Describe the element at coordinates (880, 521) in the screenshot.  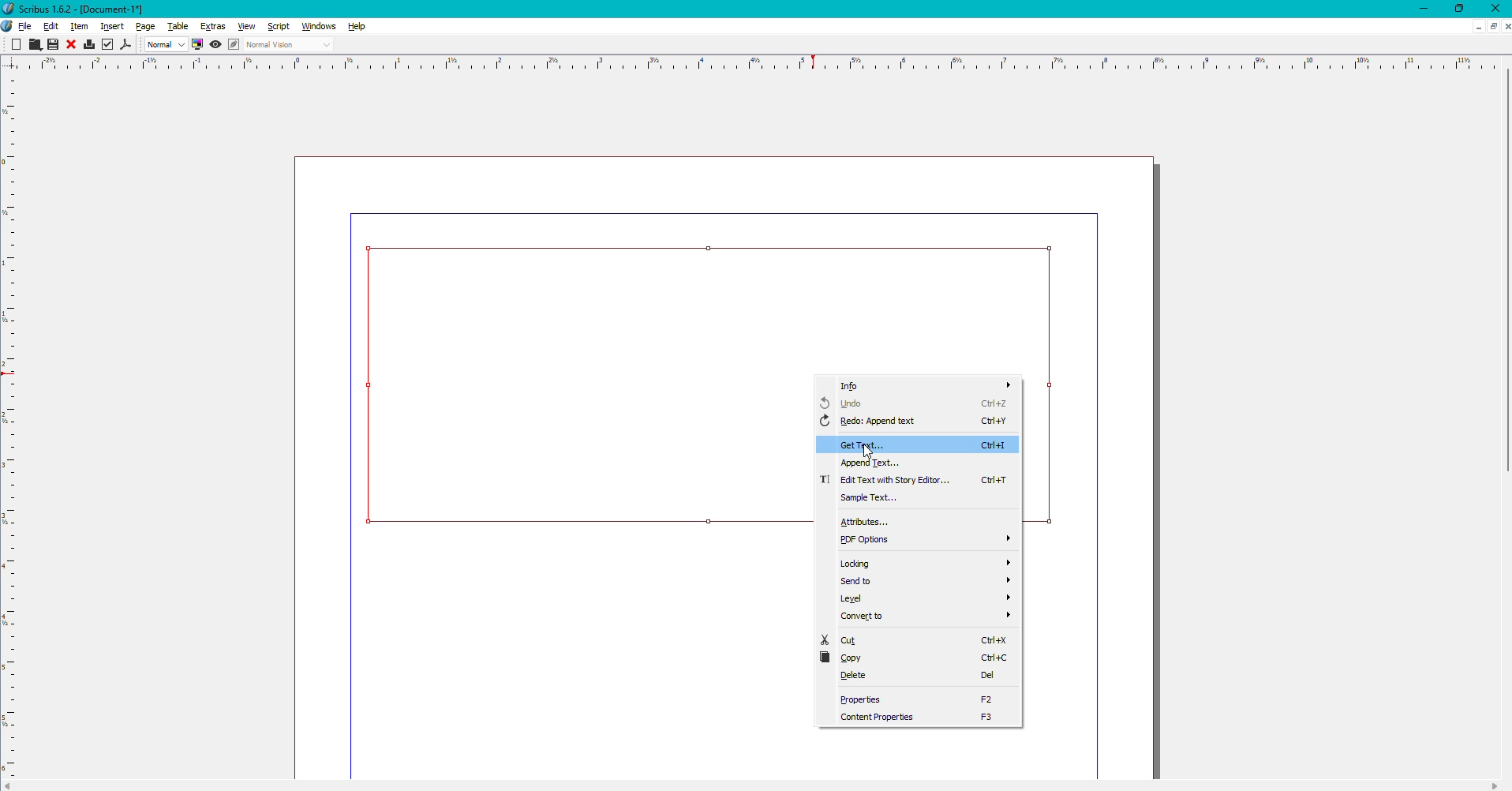
I see `Attributes` at that location.